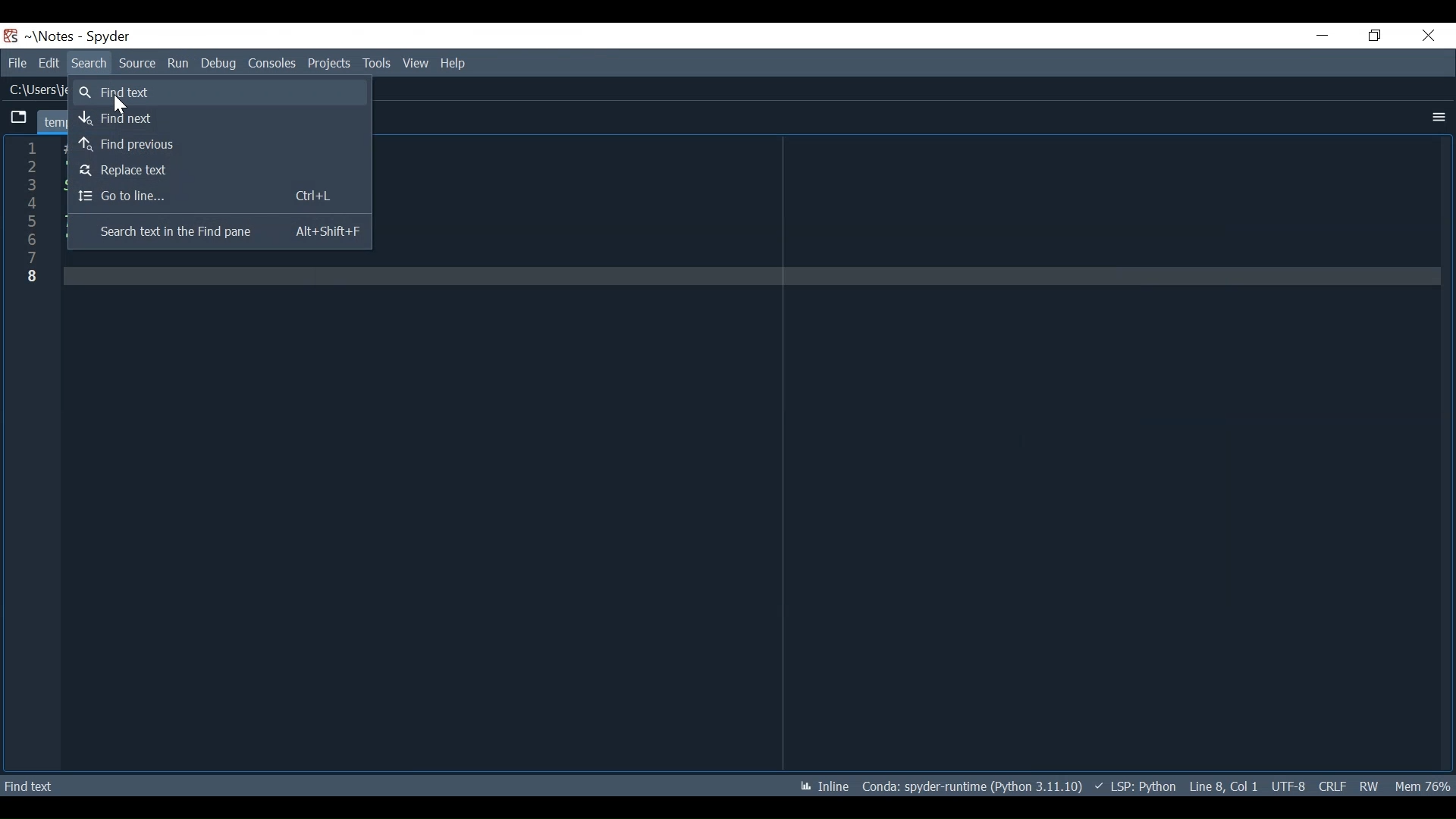  What do you see at coordinates (211, 93) in the screenshot?
I see `Find Text` at bounding box center [211, 93].